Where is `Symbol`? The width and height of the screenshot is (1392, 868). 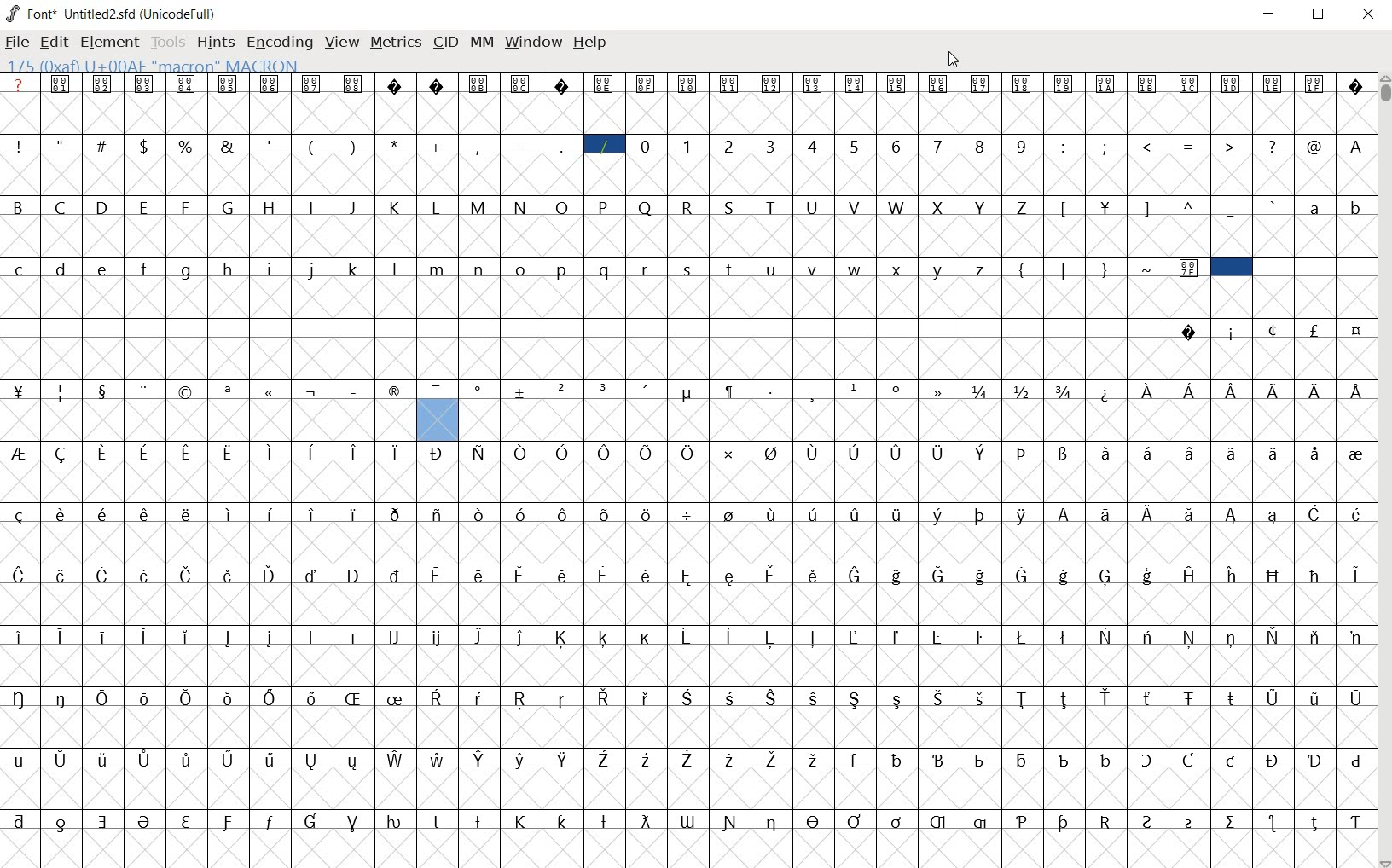
Symbol is located at coordinates (524, 819).